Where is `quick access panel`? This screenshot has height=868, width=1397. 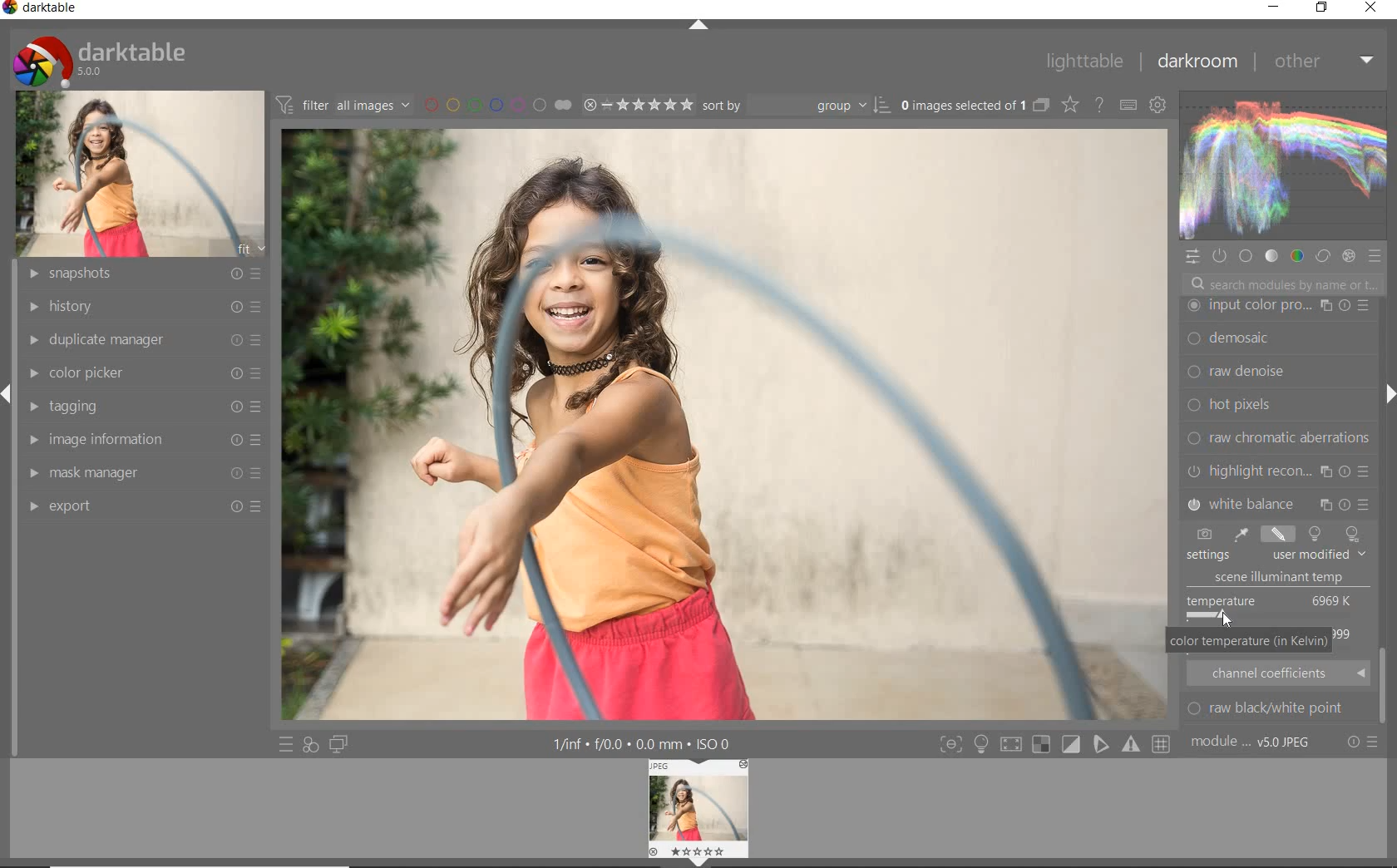 quick access panel is located at coordinates (1193, 257).